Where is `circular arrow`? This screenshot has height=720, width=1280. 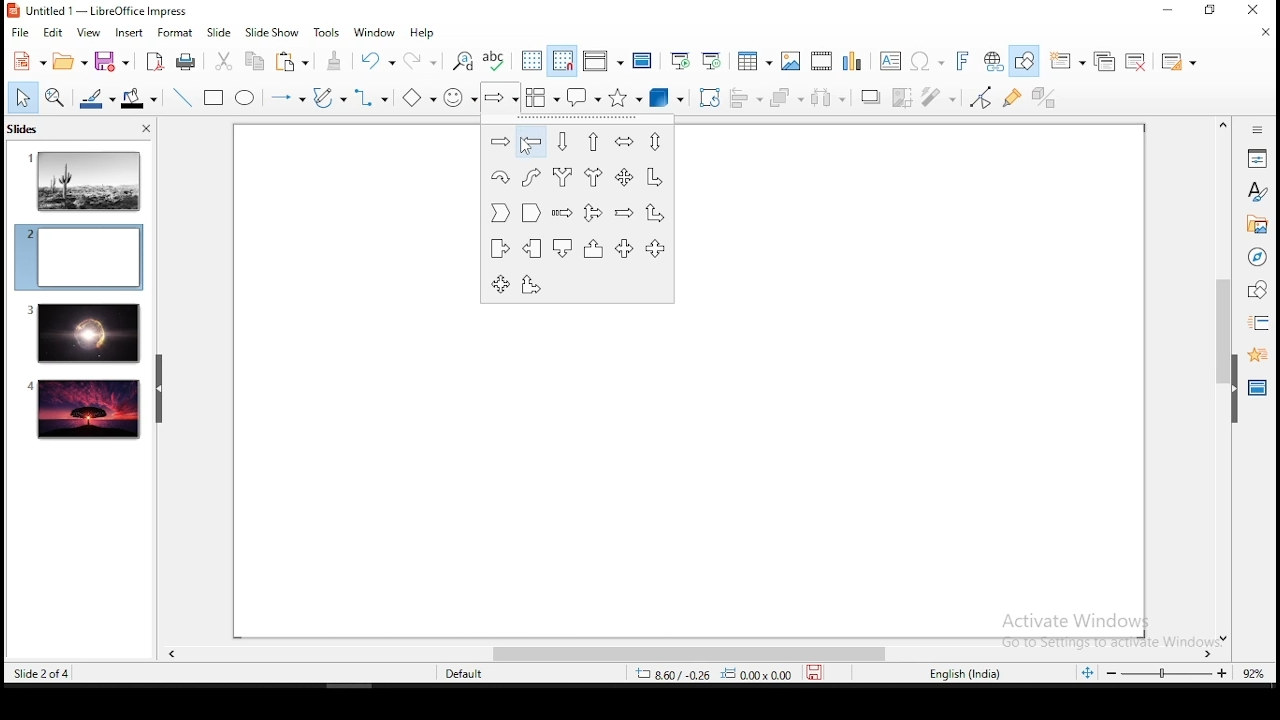 circular arrow is located at coordinates (500, 176).